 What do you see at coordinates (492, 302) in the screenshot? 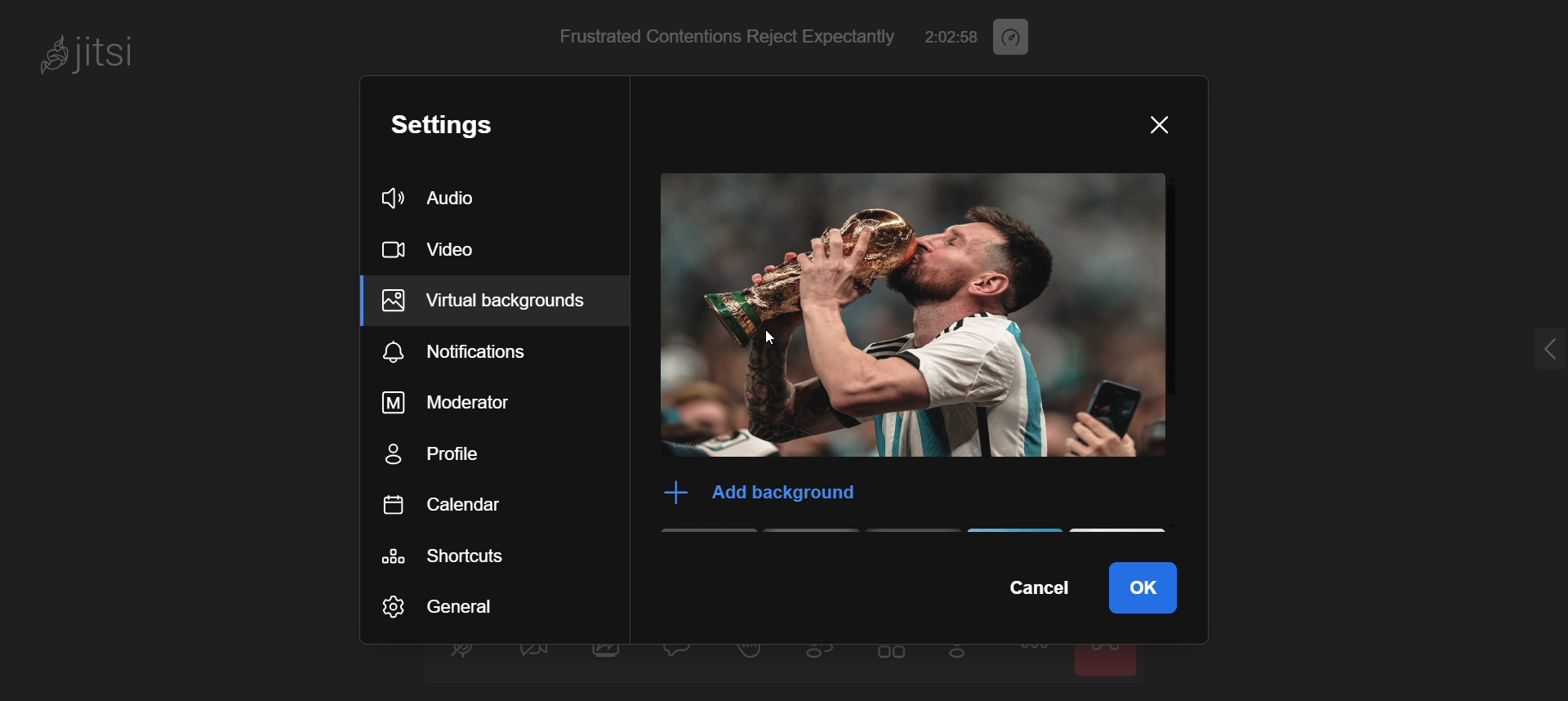
I see `virtual background` at bounding box center [492, 302].